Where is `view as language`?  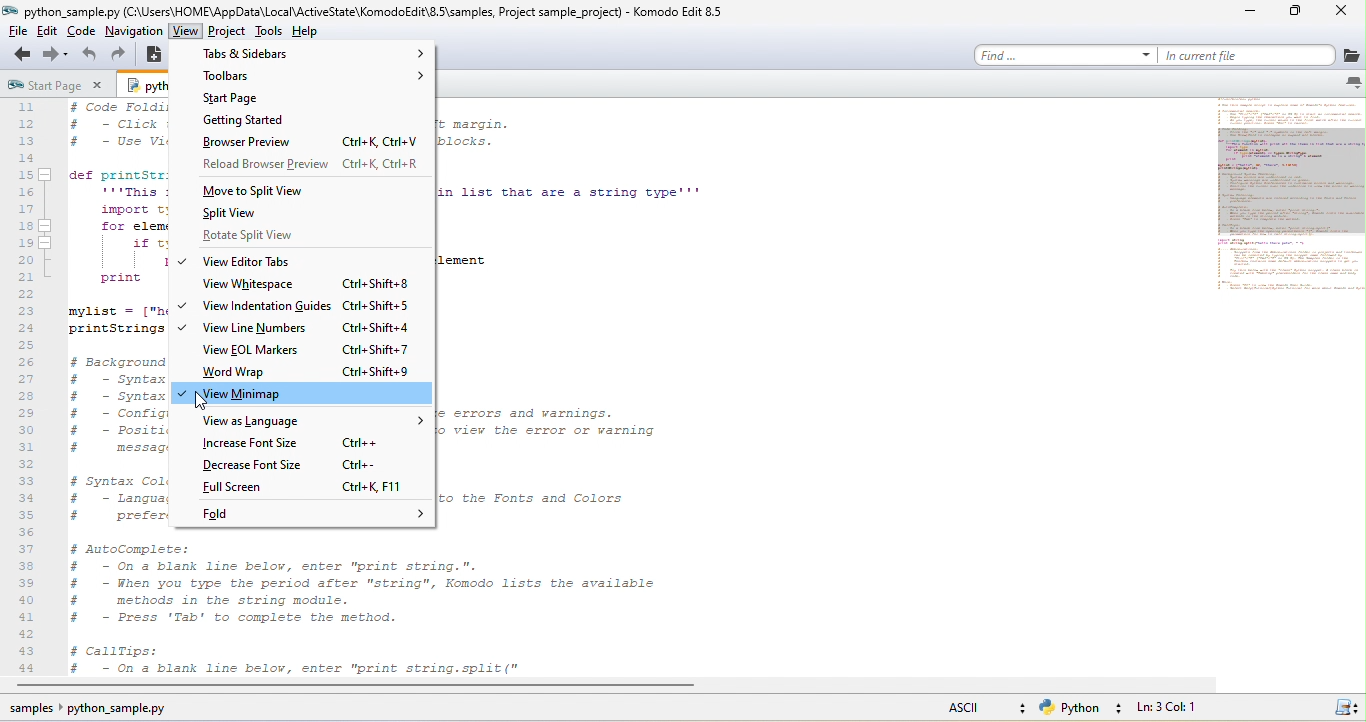
view as language is located at coordinates (305, 422).